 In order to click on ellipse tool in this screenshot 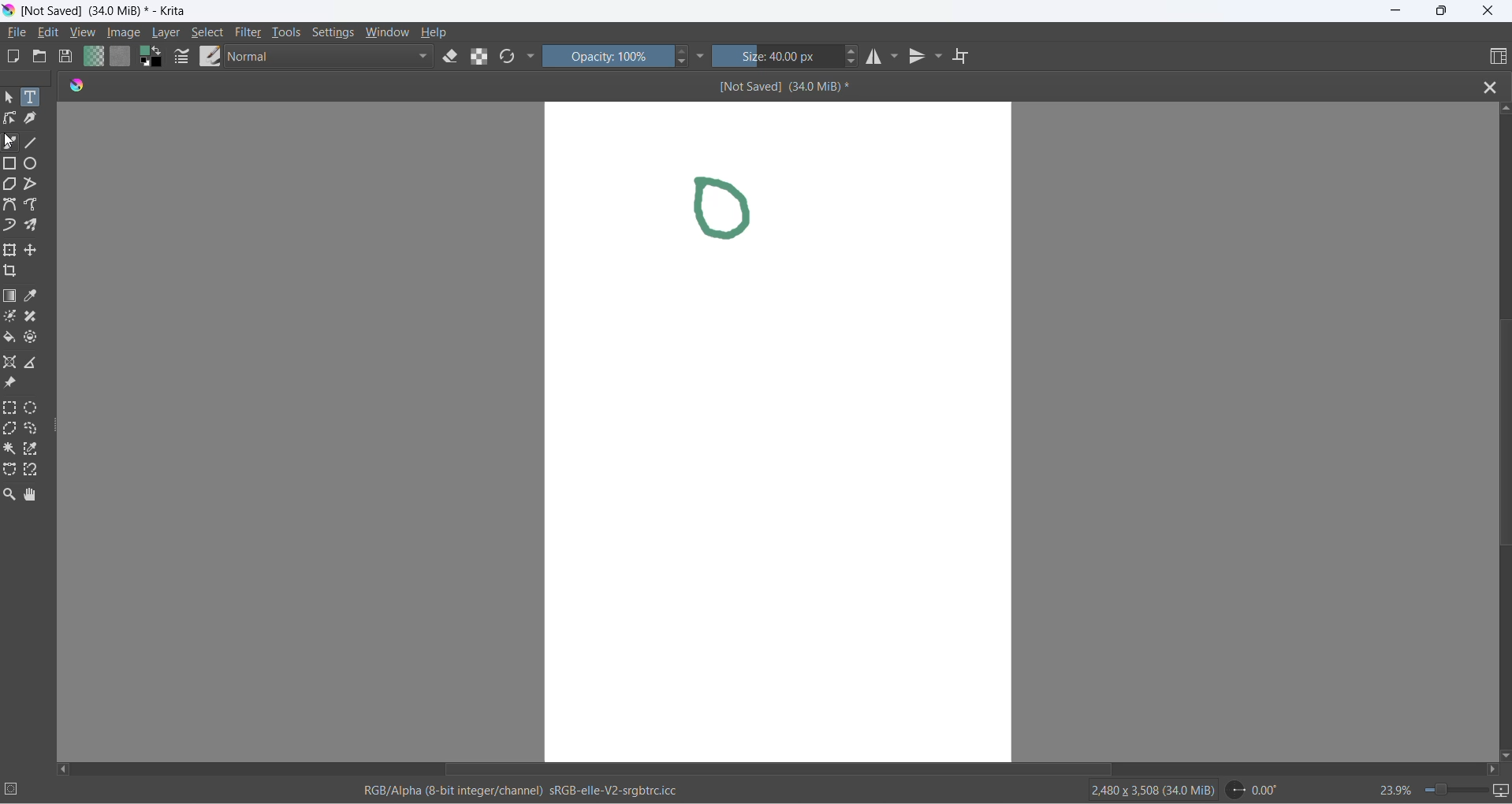, I will do `click(39, 164)`.